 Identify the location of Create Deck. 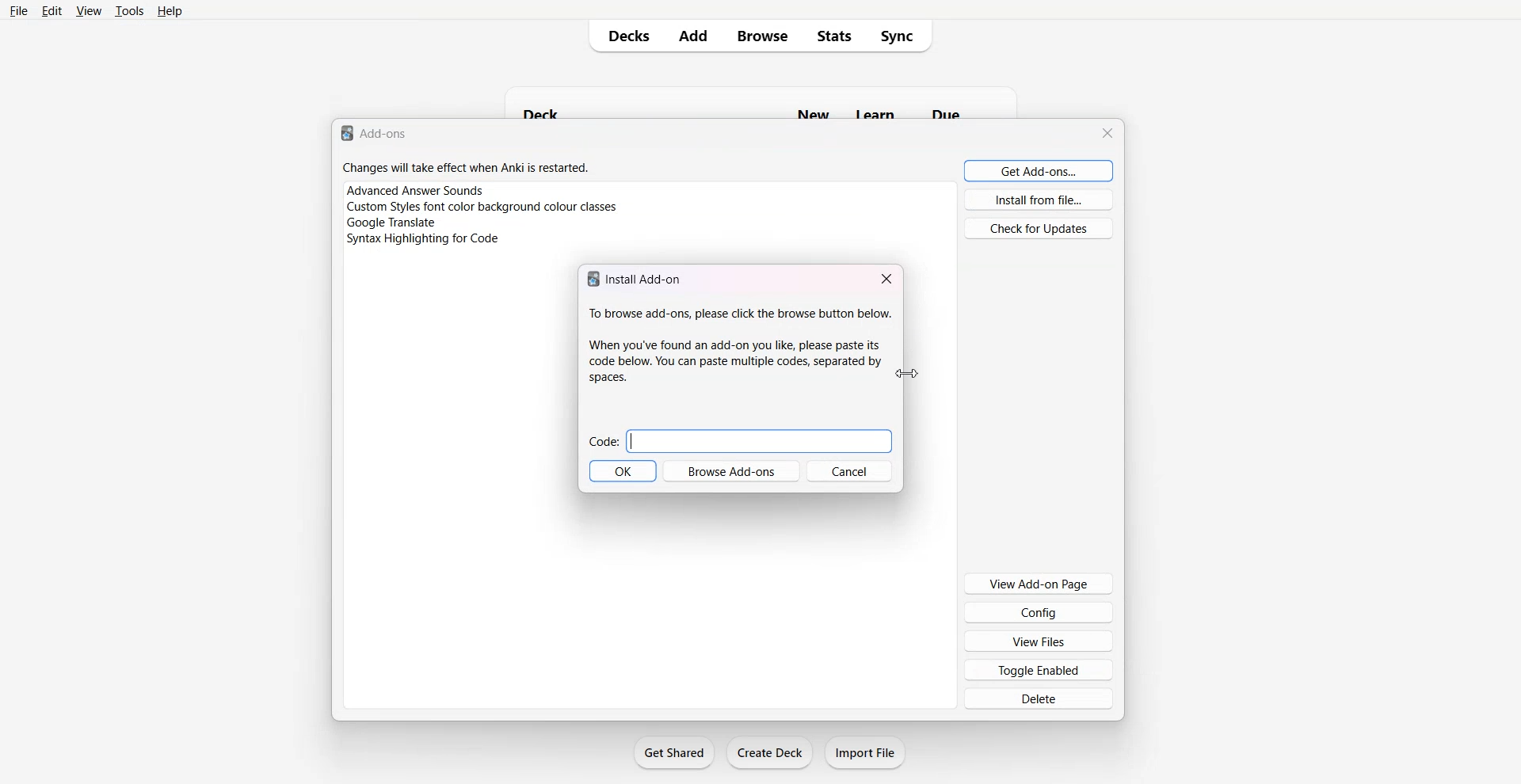
(769, 752).